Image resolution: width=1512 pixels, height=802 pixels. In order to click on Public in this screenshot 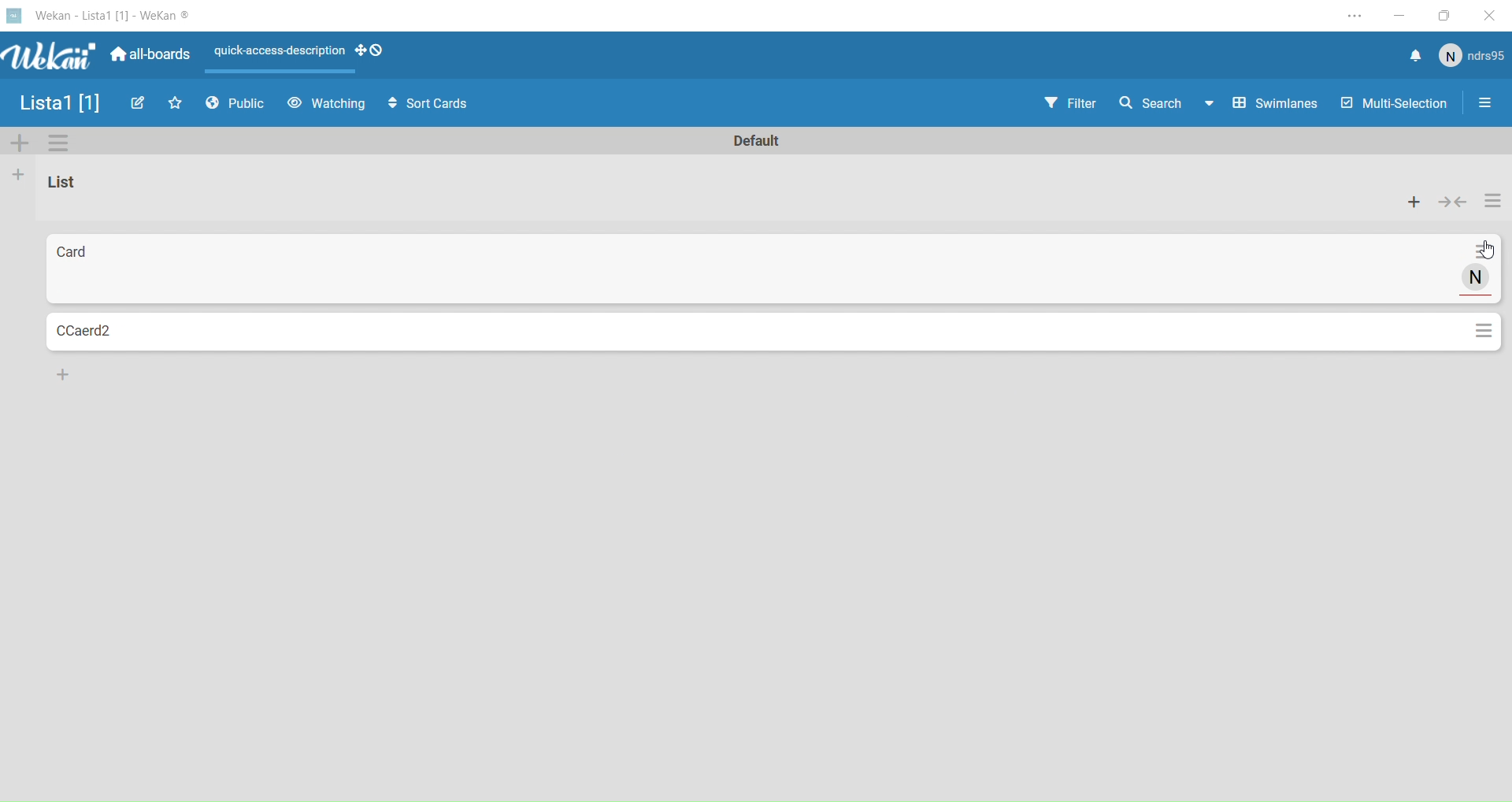, I will do `click(238, 106)`.